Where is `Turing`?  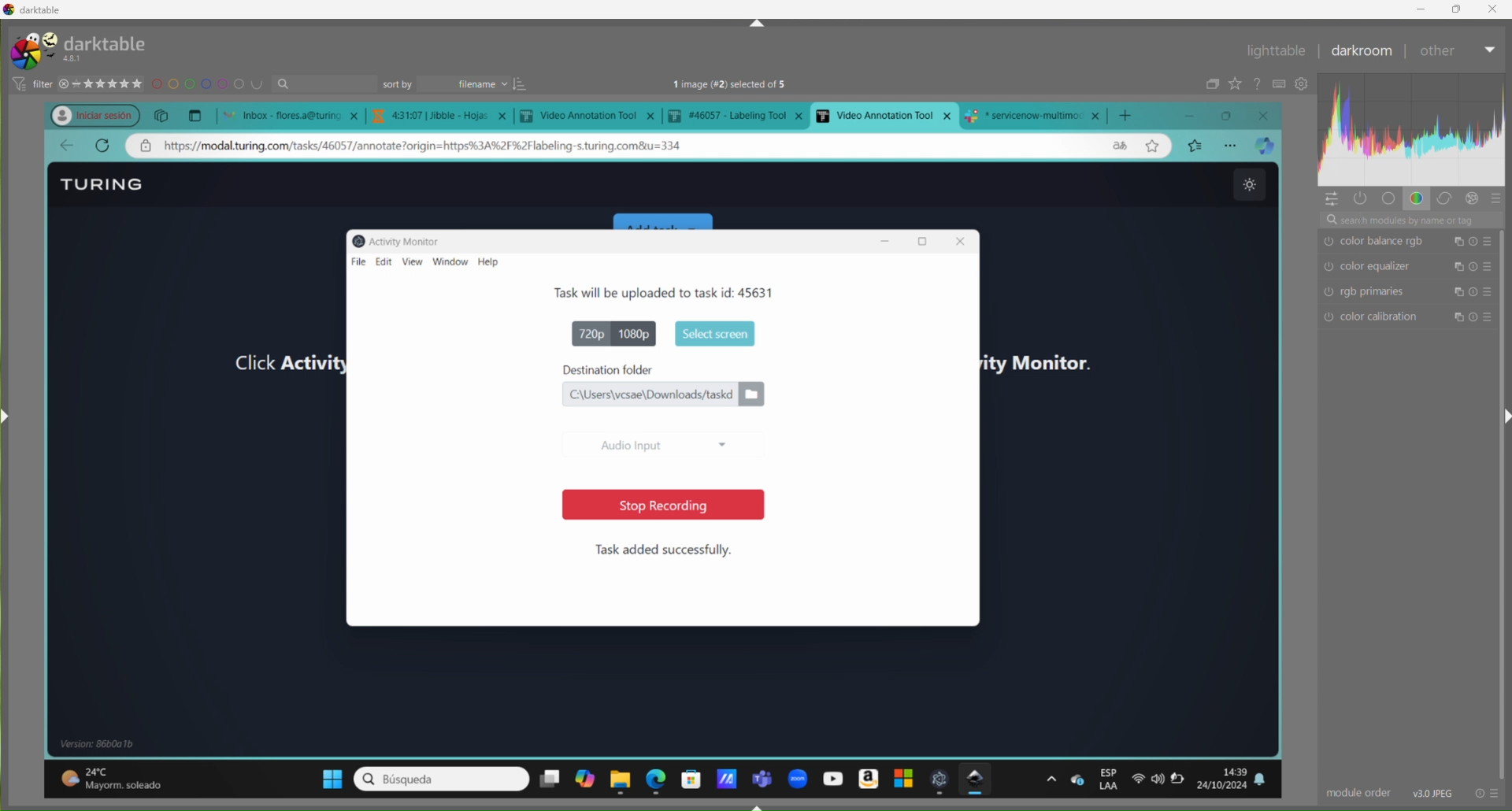 Turing is located at coordinates (106, 183).